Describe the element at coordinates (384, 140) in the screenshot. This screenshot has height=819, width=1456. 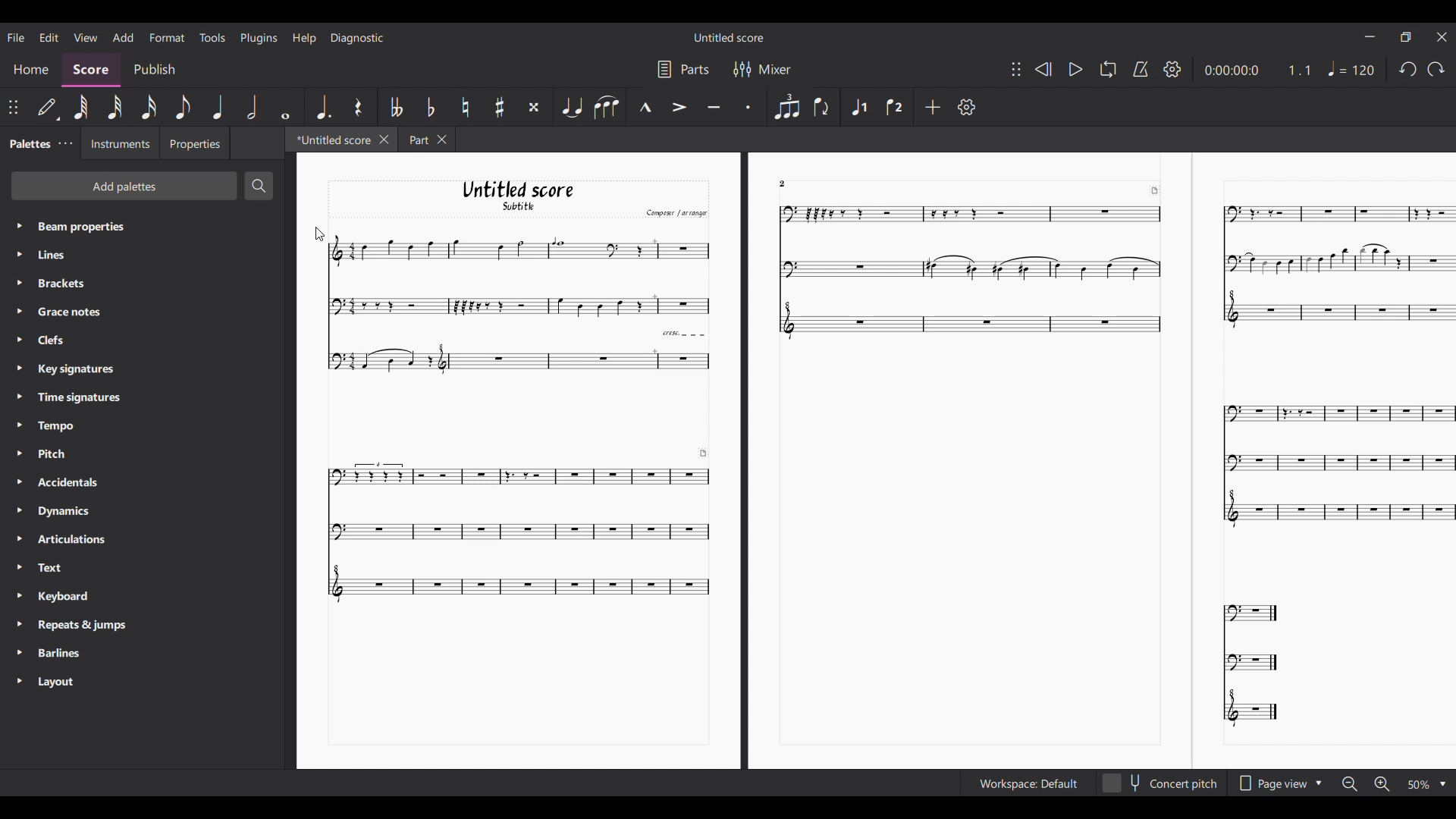
I see `Close` at that location.